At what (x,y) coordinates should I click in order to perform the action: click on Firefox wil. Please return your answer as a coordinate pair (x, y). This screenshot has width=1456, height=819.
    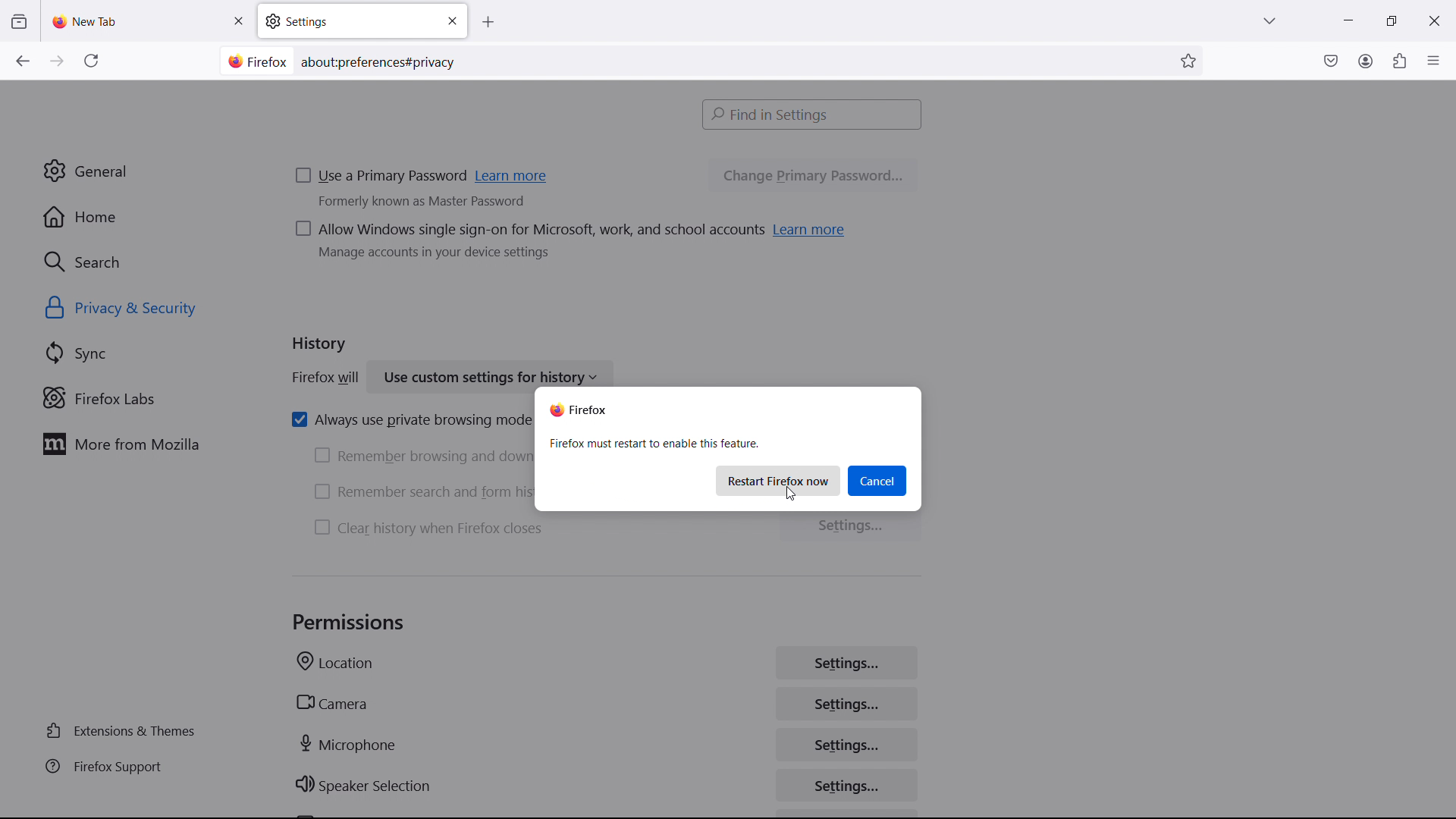
    Looking at the image, I should click on (322, 379).